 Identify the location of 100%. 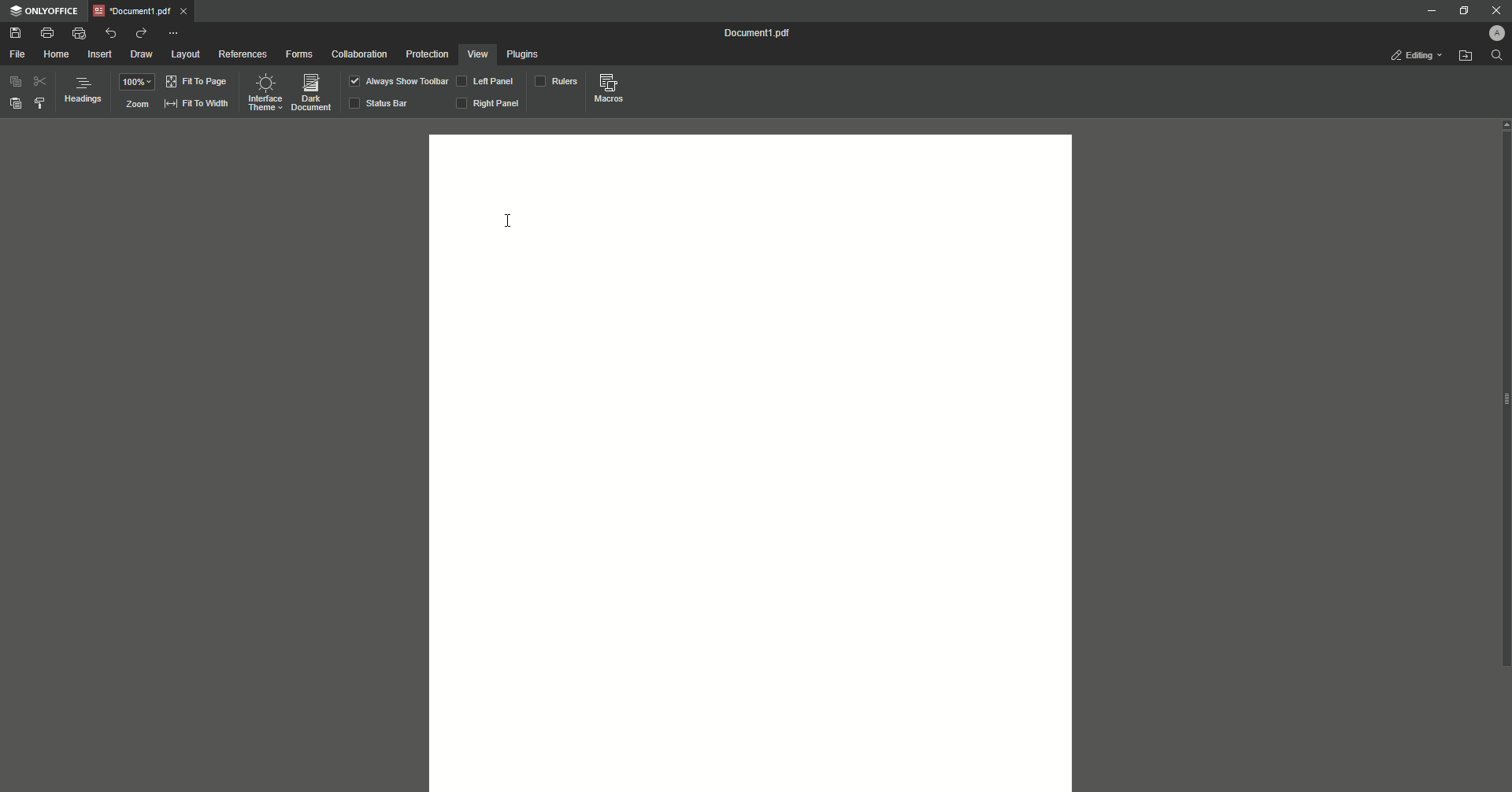
(137, 83).